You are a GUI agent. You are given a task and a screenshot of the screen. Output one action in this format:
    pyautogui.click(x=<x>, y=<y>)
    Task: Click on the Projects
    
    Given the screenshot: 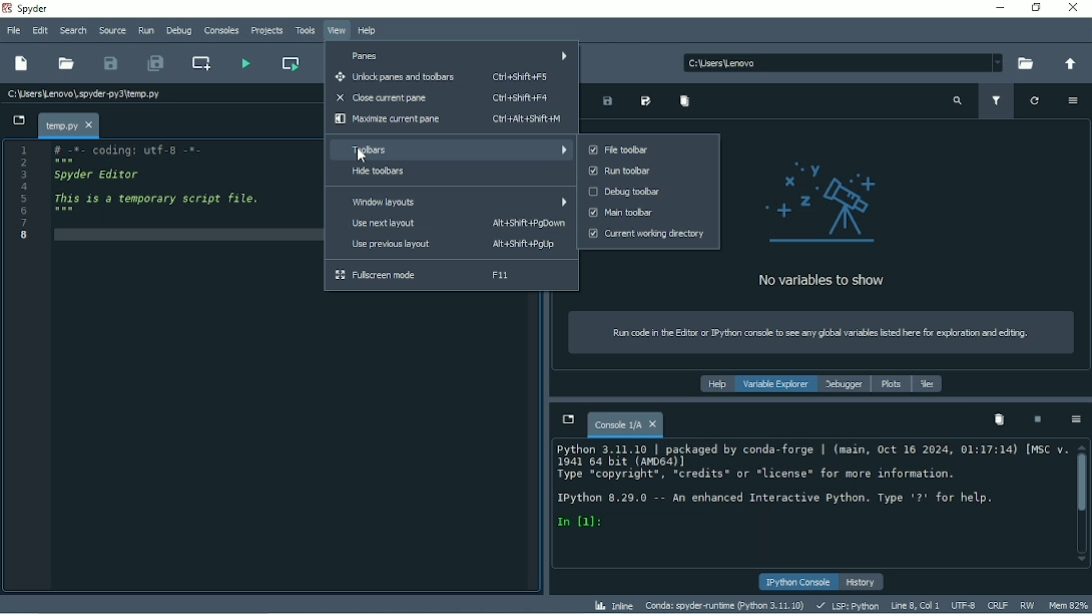 What is the action you would take?
    pyautogui.click(x=265, y=32)
    